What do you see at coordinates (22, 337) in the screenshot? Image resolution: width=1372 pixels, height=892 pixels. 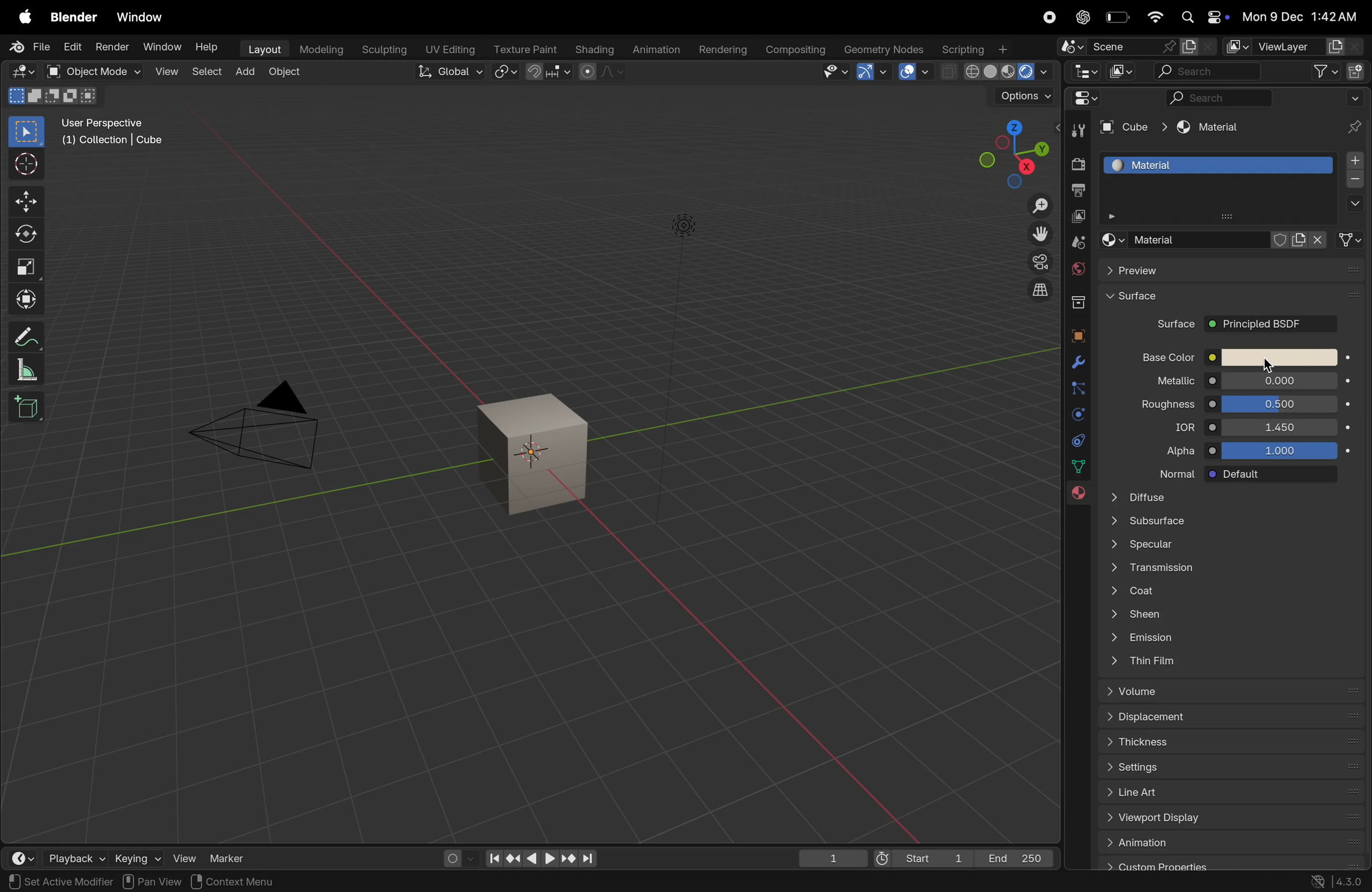 I see `annotate` at bounding box center [22, 337].